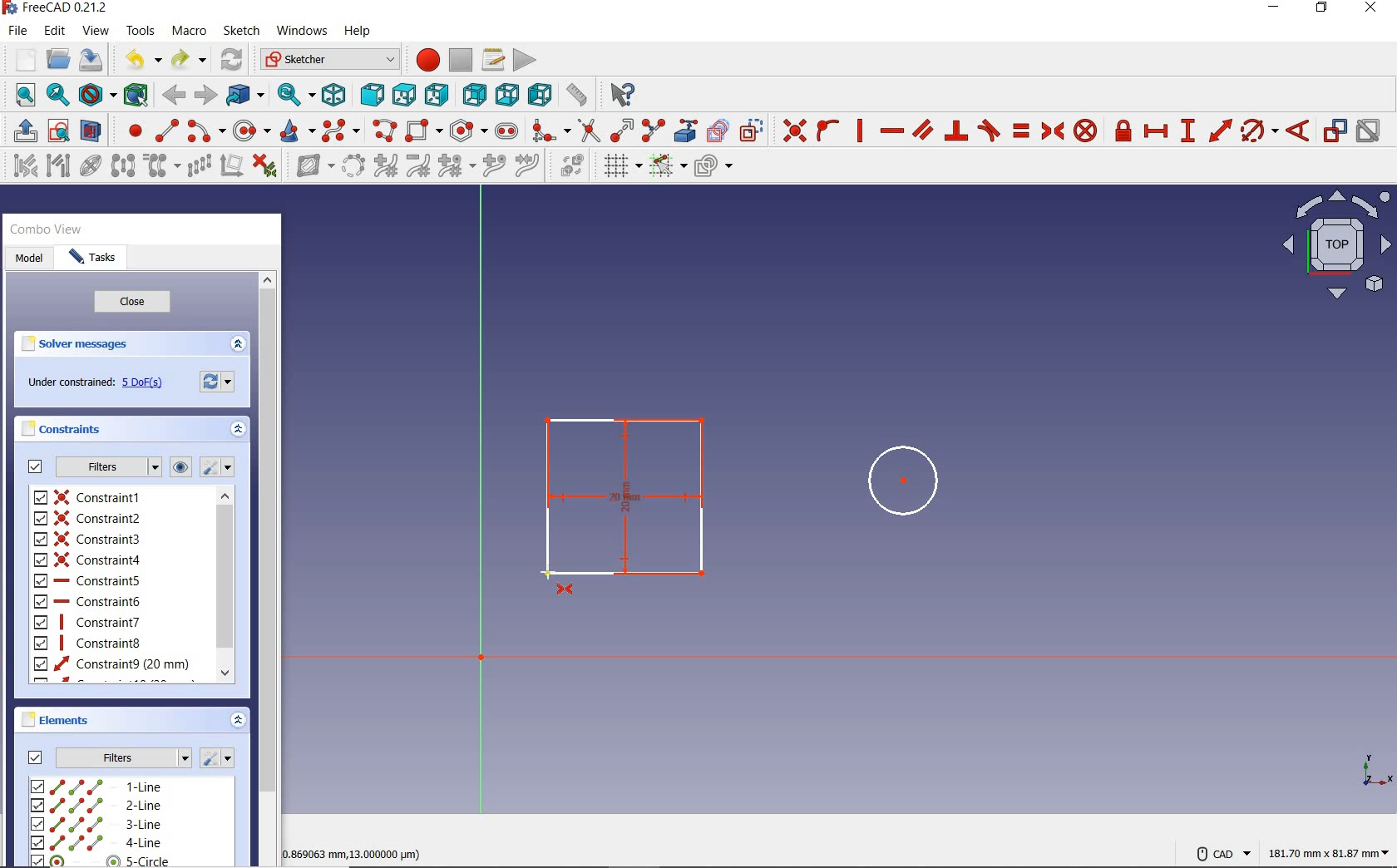 Image resolution: width=1397 pixels, height=868 pixels. I want to click on settings, so click(220, 757).